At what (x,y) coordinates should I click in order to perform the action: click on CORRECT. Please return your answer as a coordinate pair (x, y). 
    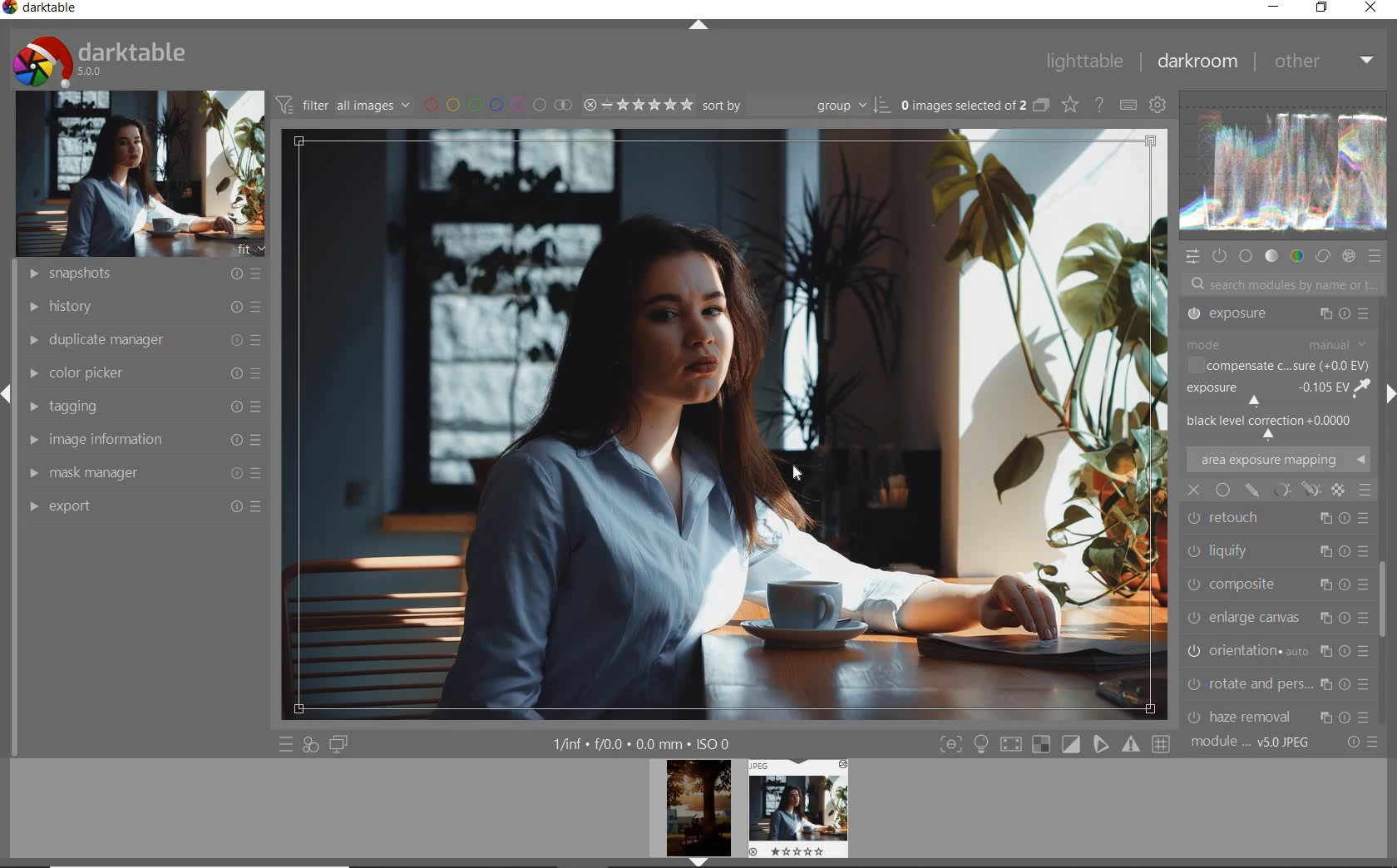
    Looking at the image, I should click on (1322, 254).